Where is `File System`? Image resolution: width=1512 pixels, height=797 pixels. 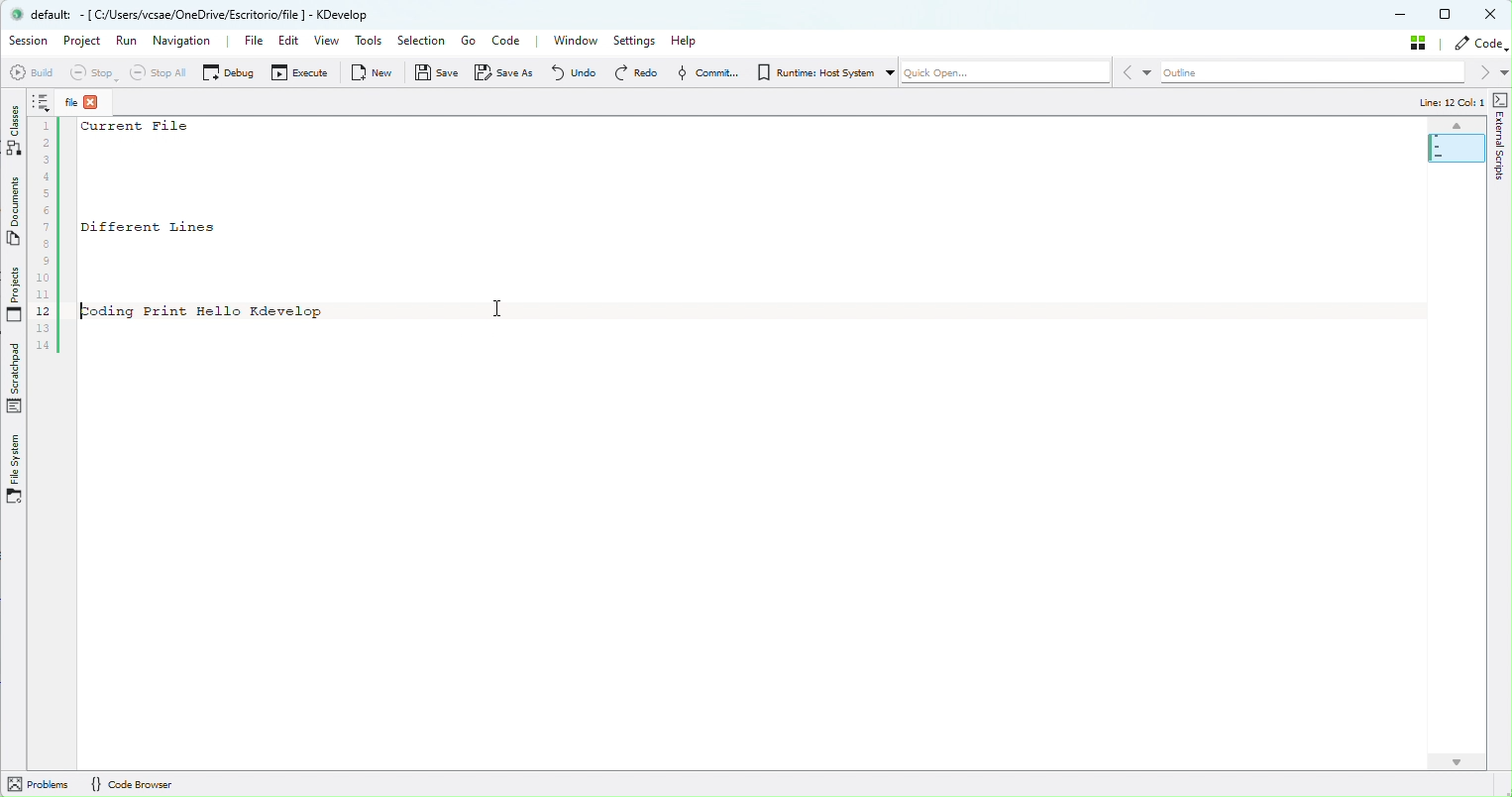 File System is located at coordinates (16, 469).